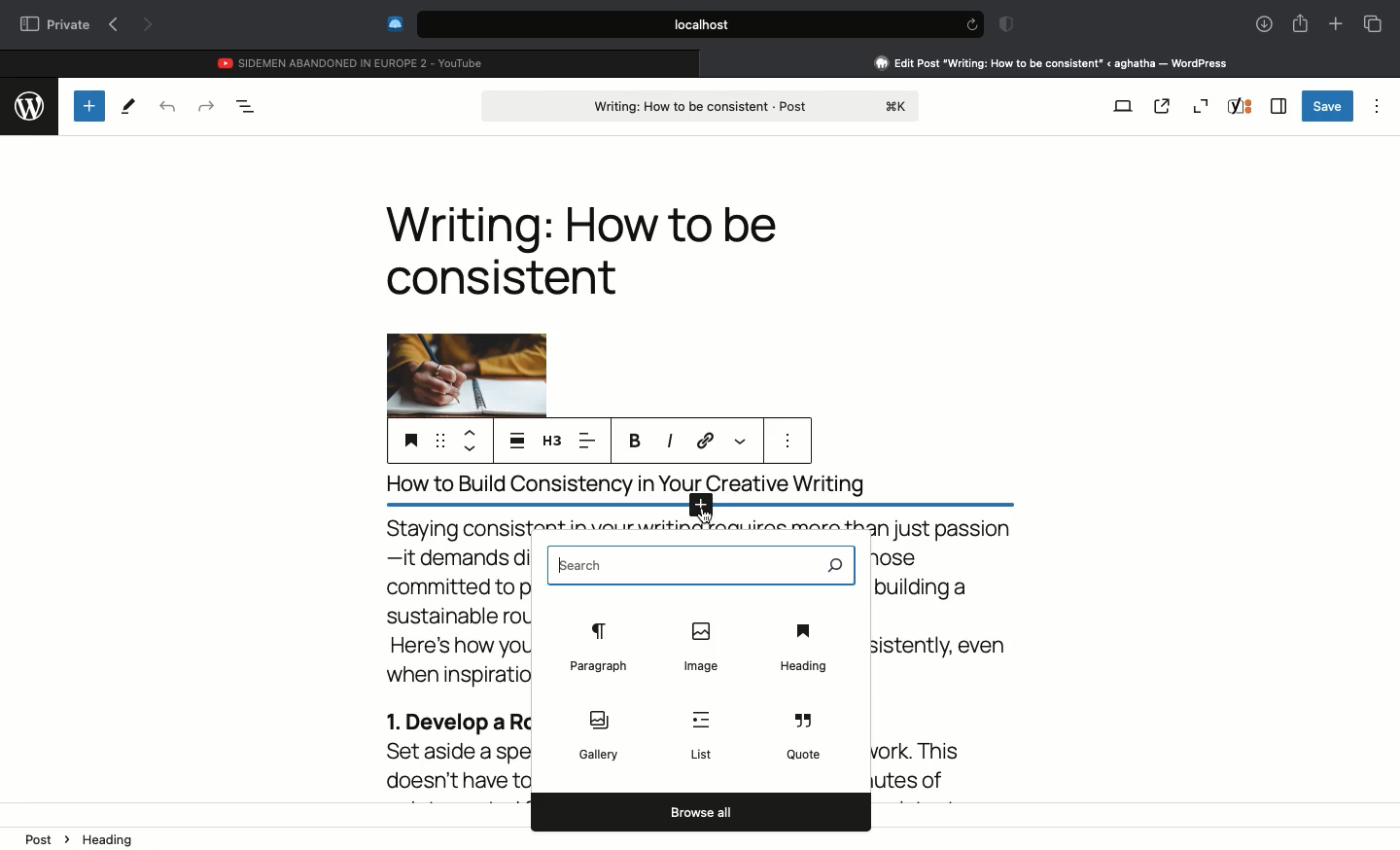 The width and height of the screenshot is (1400, 850). I want to click on Drag, so click(439, 442).